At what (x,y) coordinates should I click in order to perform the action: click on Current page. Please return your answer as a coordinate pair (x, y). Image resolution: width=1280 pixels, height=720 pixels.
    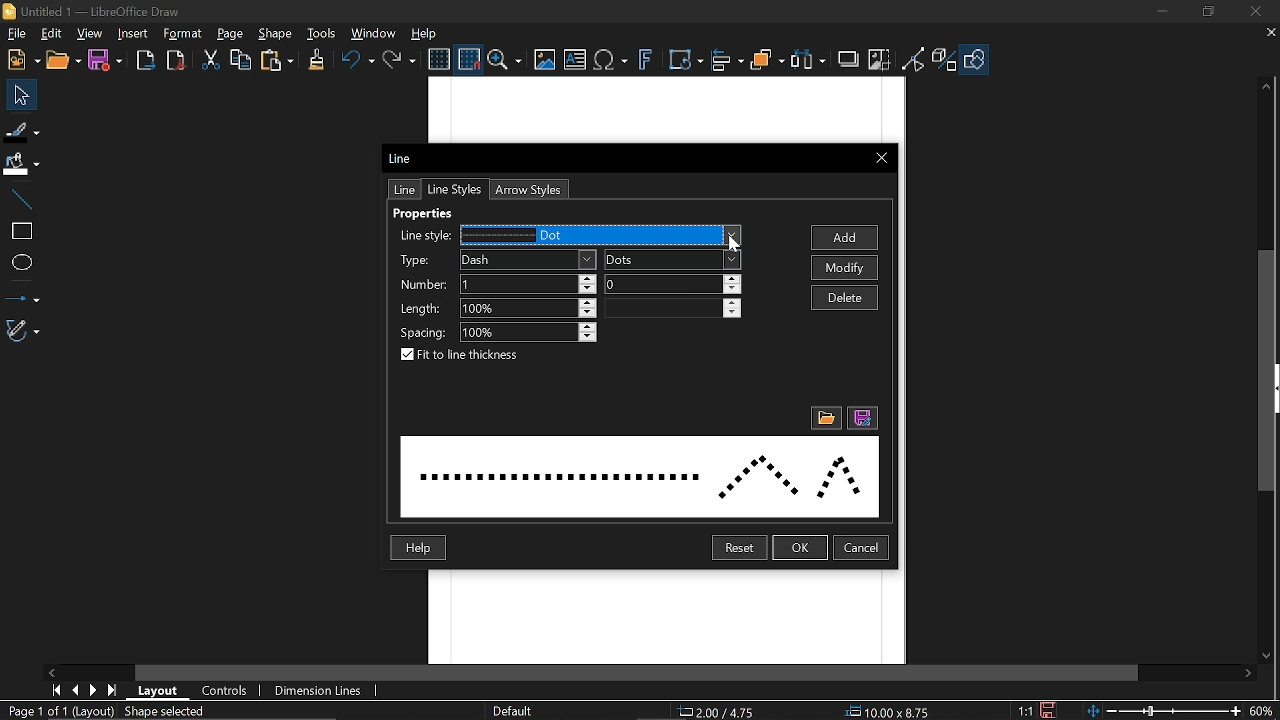
    Looking at the image, I should click on (58, 711).